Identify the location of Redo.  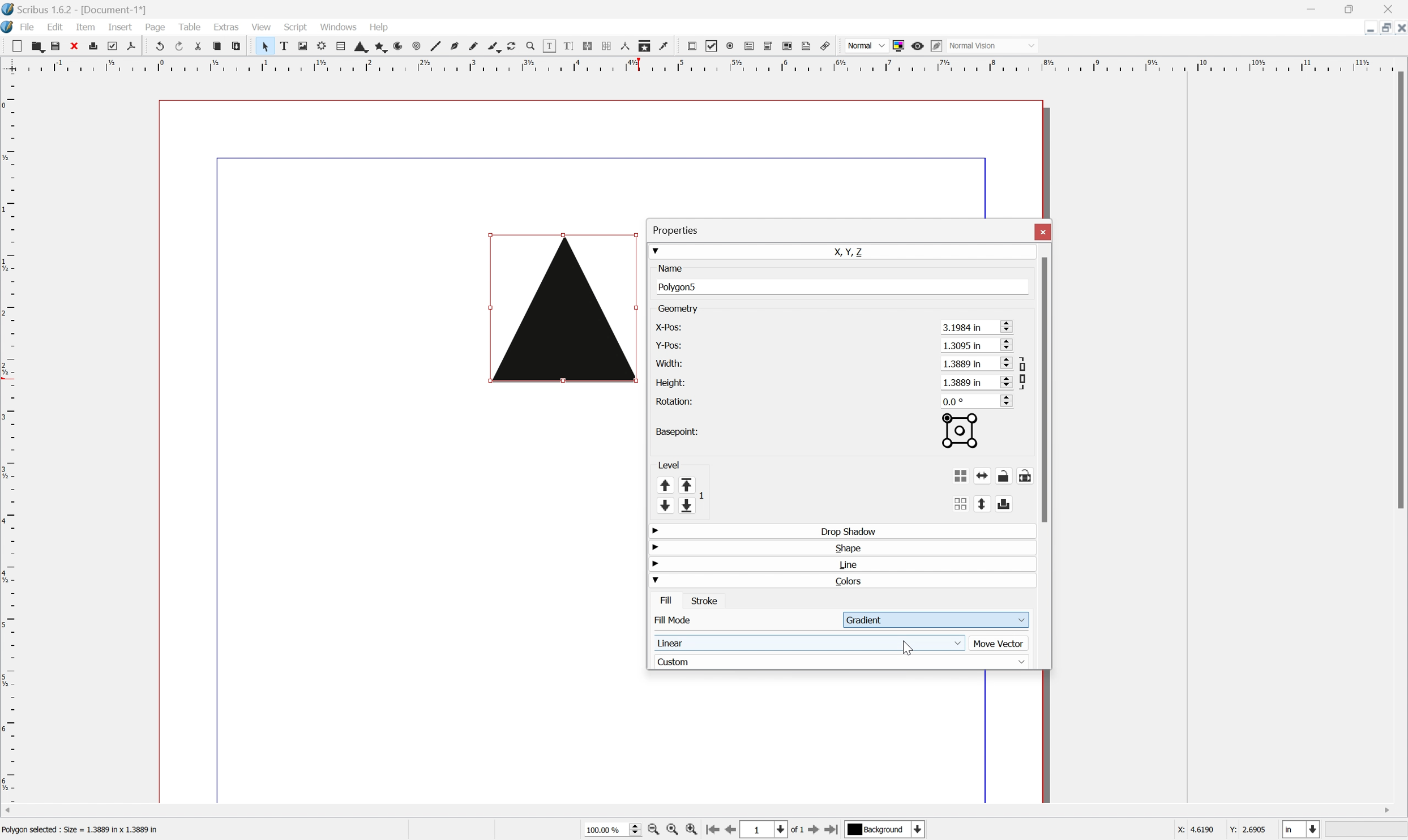
(178, 45).